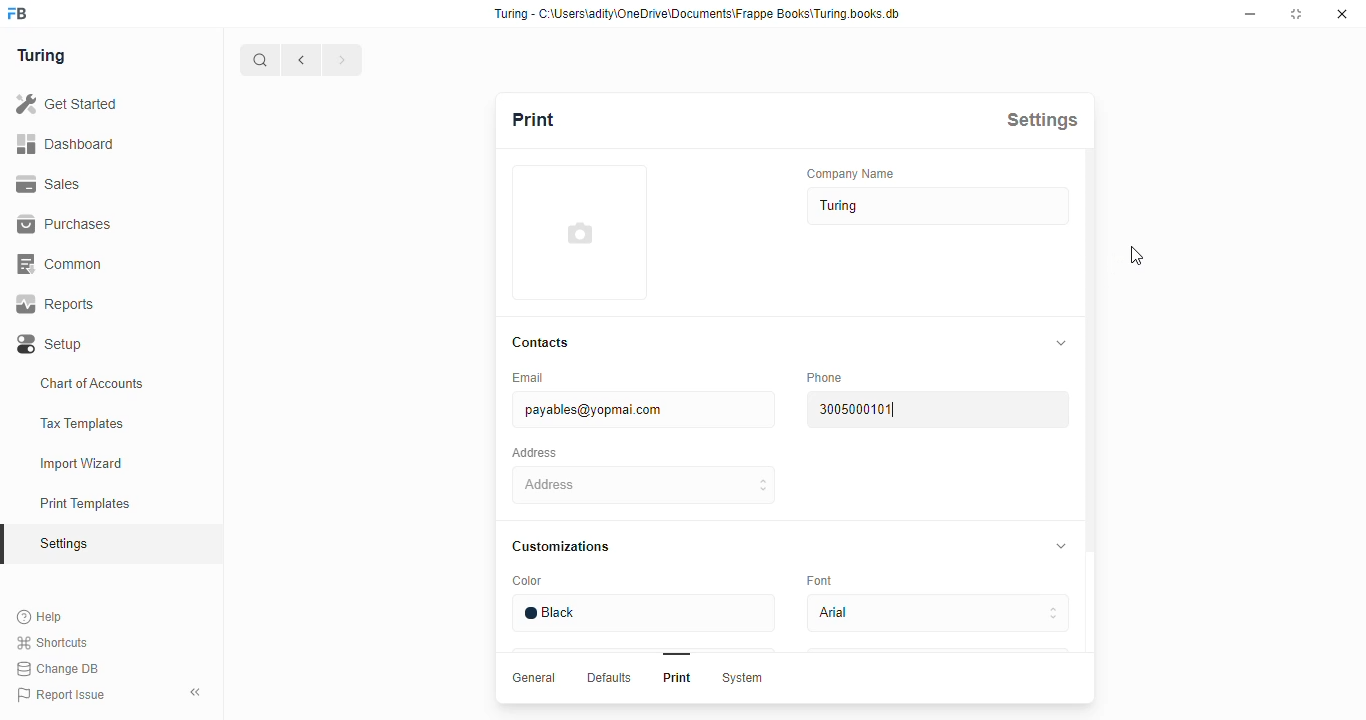 This screenshot has width=1366, height=720. I want to click on Sales, so click(98, 182).